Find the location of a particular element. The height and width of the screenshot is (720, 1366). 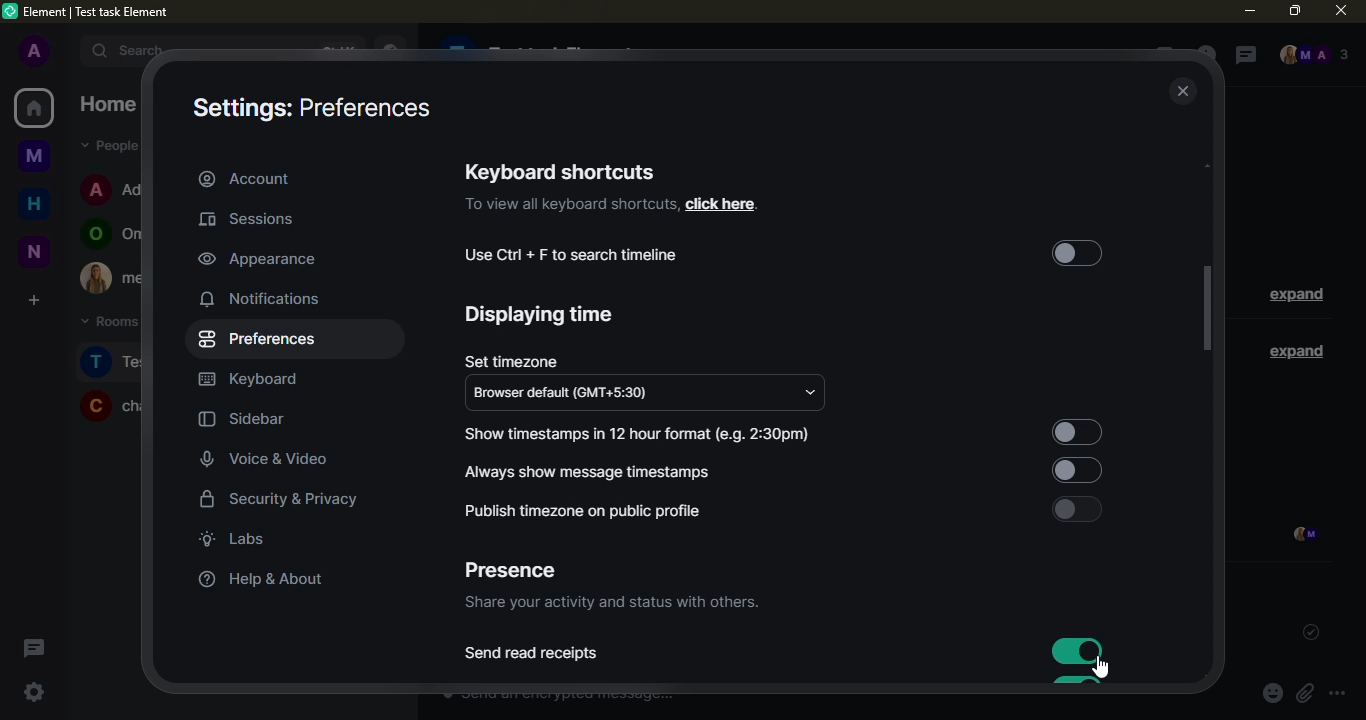

always show  is located at coordinates (592, 471).